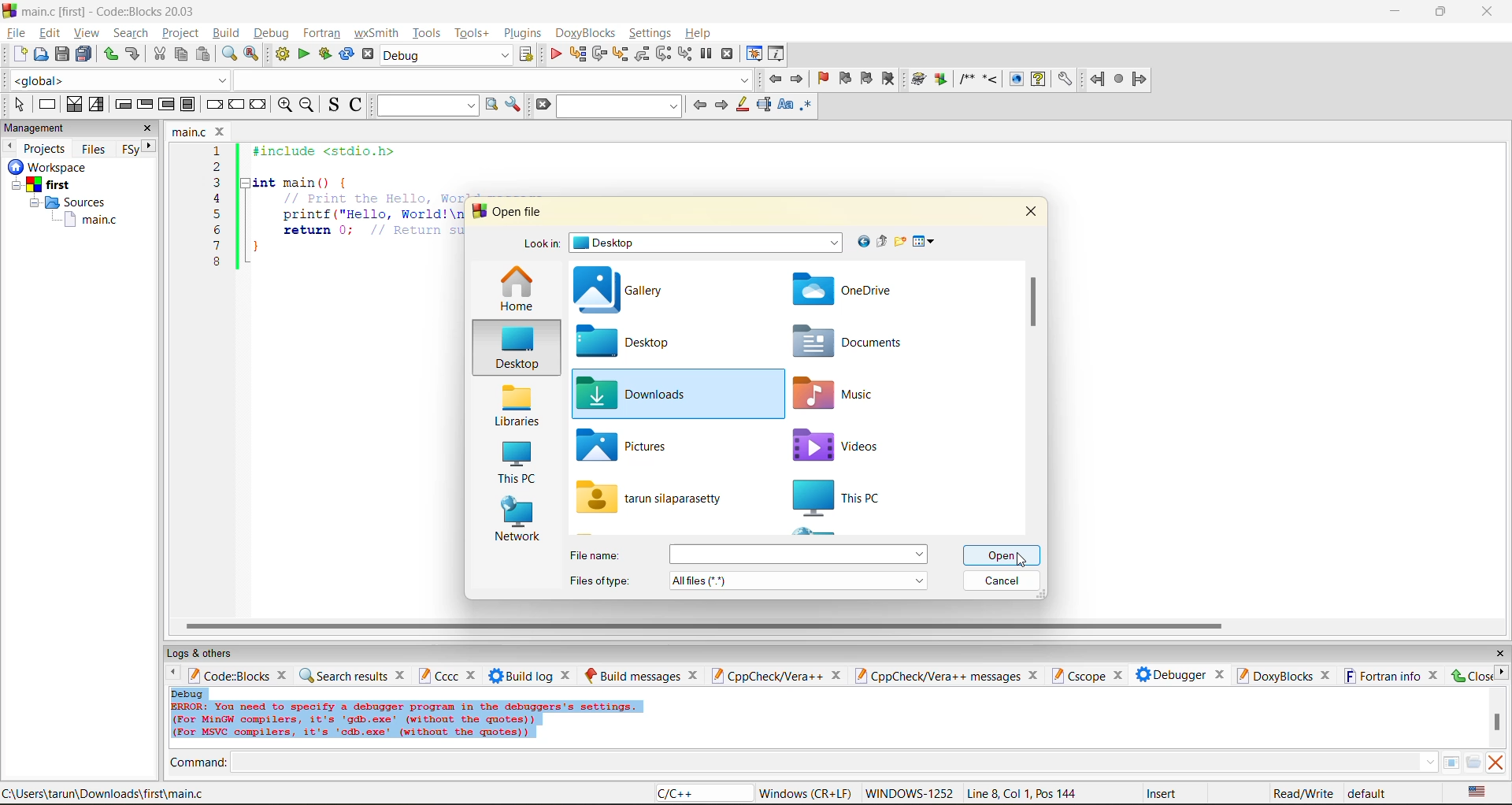 This screenshot has width=1512, height=805. I want to click on search, so click(131, 32).